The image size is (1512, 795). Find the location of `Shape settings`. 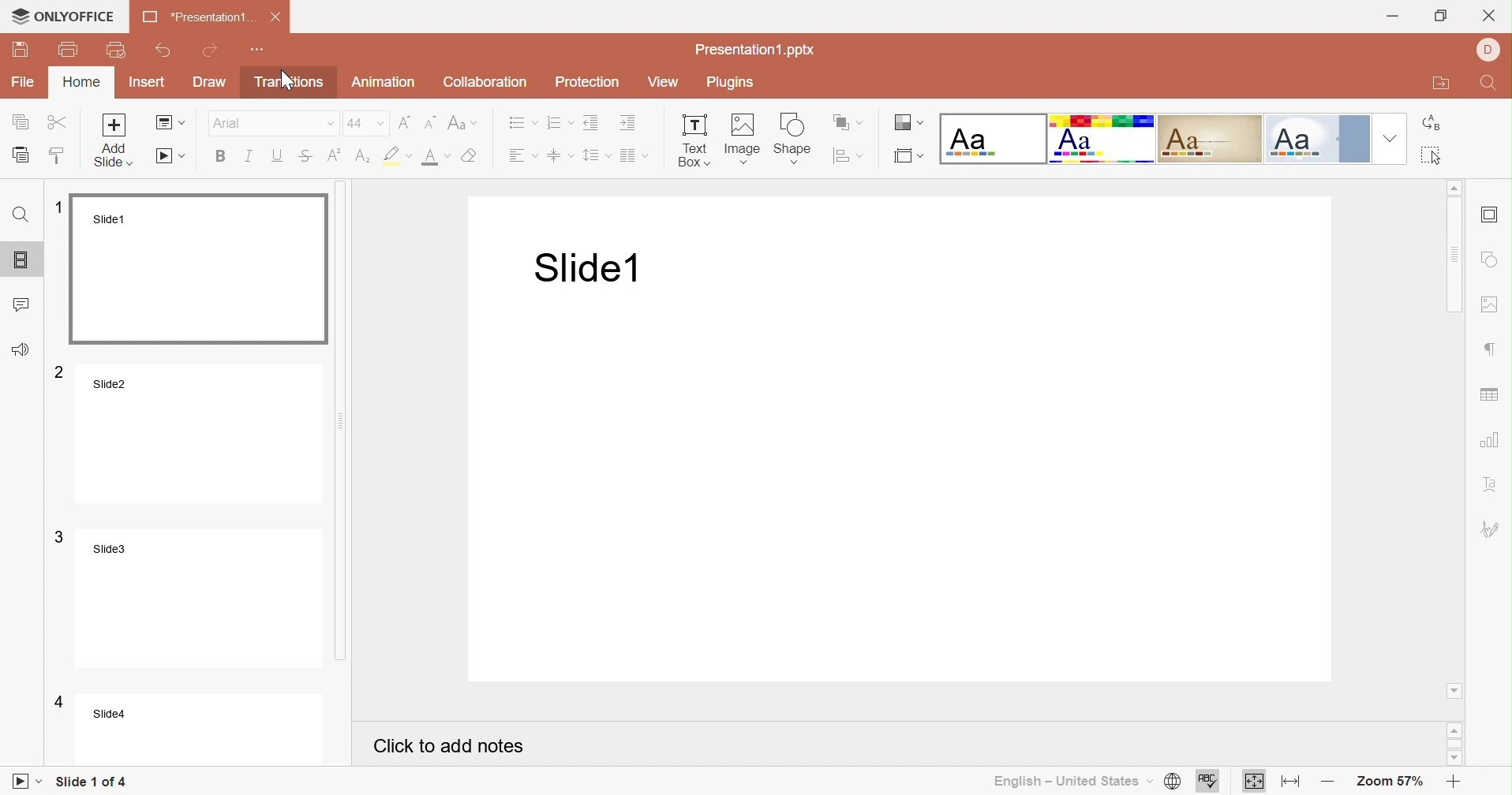

Shape settings is located at coordinates (1488, 260).